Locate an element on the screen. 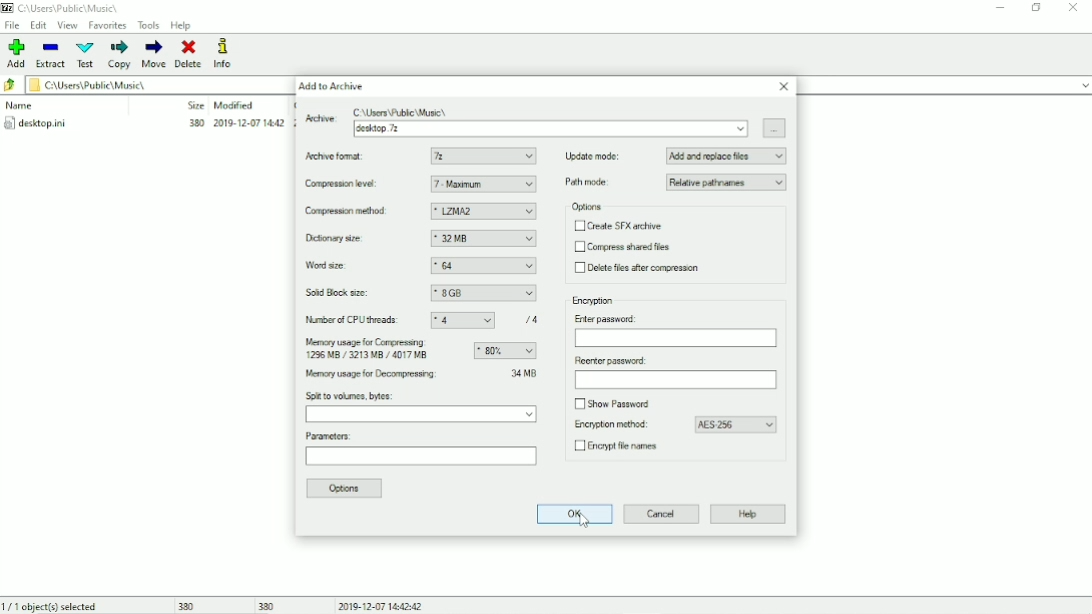 The image size is (1092, 614). Help is located at coordinates (748, 515).